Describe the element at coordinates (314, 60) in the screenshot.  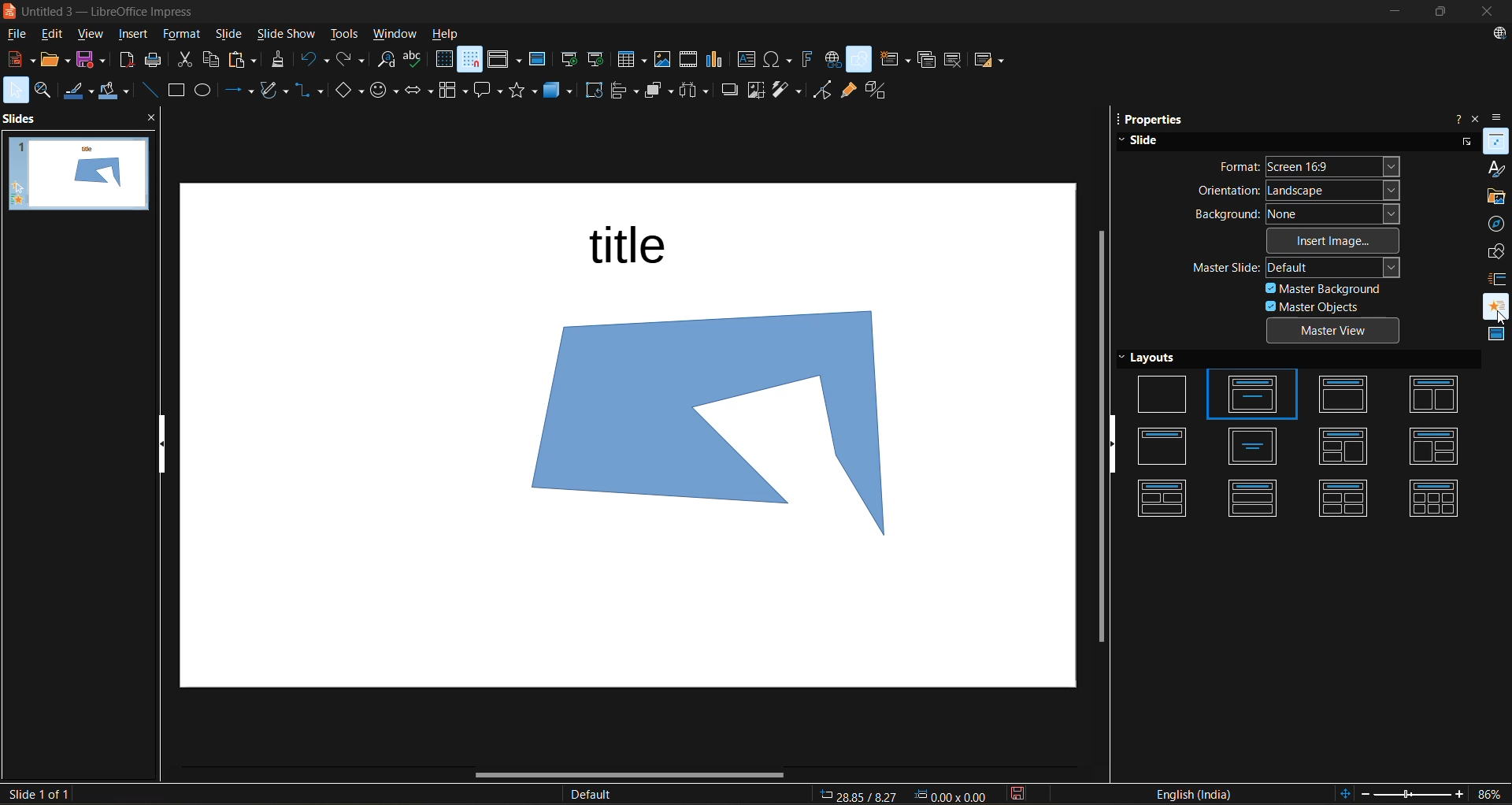
I see `undo` at that location.